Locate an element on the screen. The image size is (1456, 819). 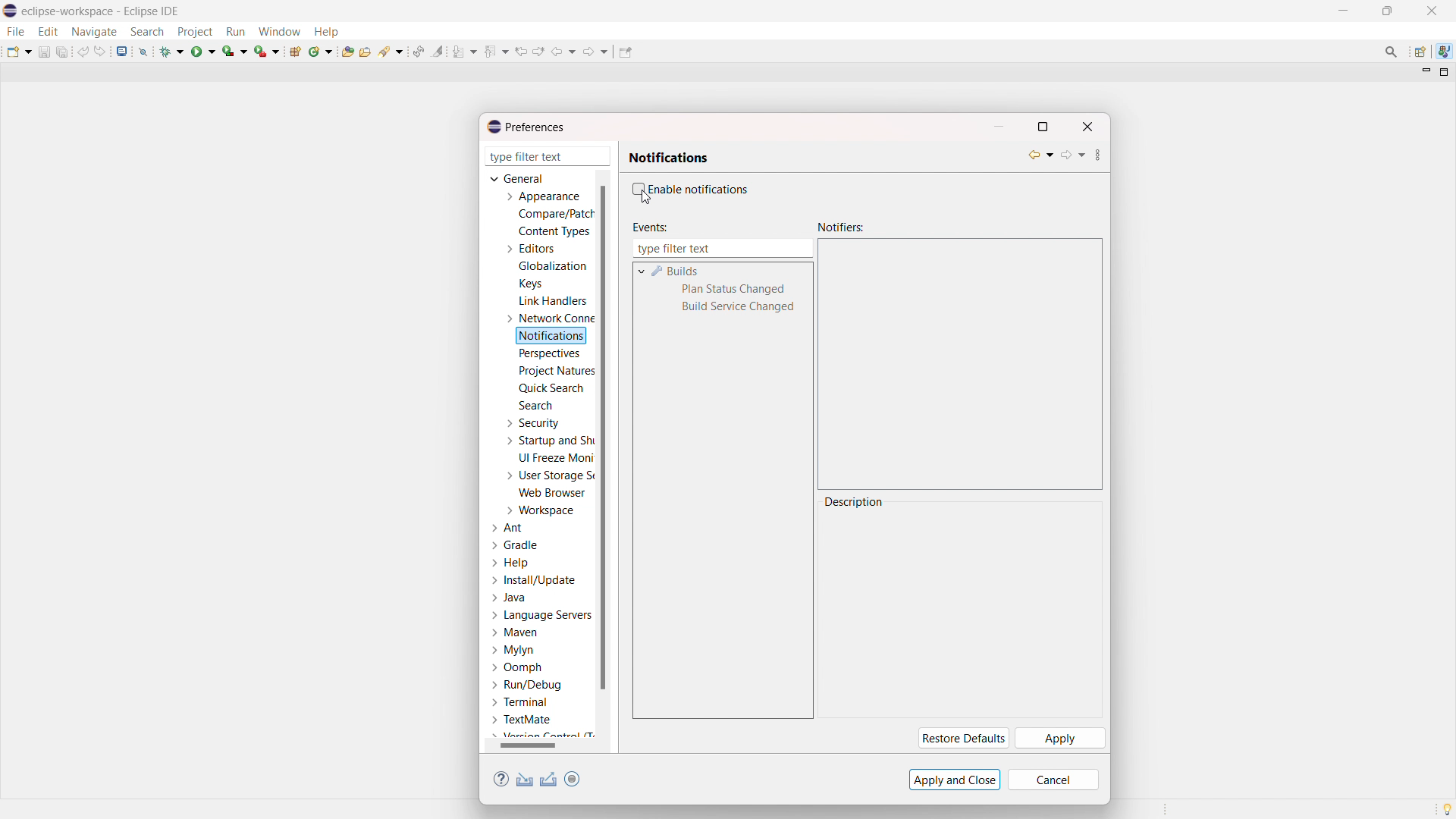
horizontal scrollbar is located at coordinates (528, 745).